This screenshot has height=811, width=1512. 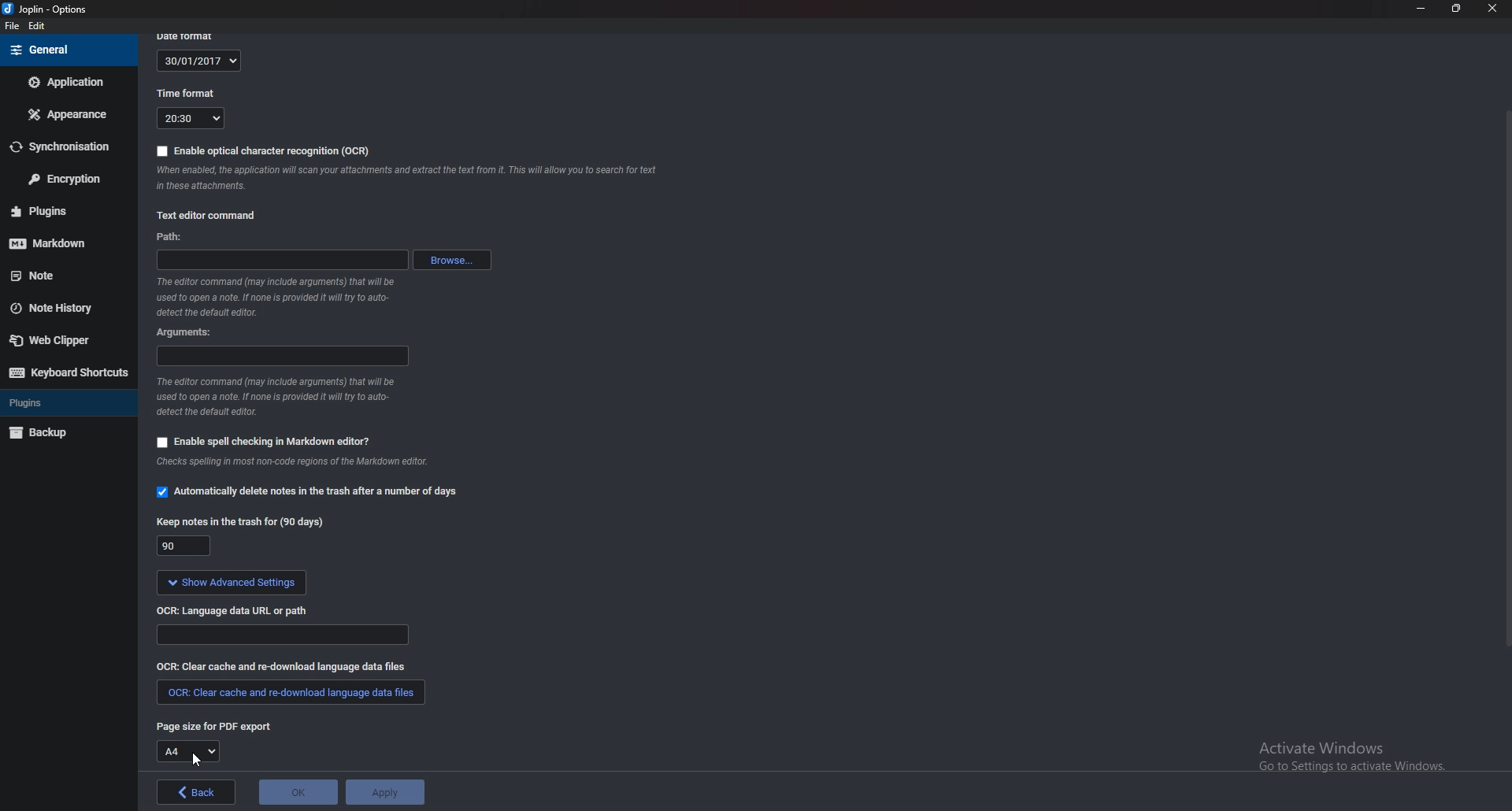 What do you see at coordinates (65, 115) in the screenshot?
I see `Appearance` at bounding box center [65, 115].